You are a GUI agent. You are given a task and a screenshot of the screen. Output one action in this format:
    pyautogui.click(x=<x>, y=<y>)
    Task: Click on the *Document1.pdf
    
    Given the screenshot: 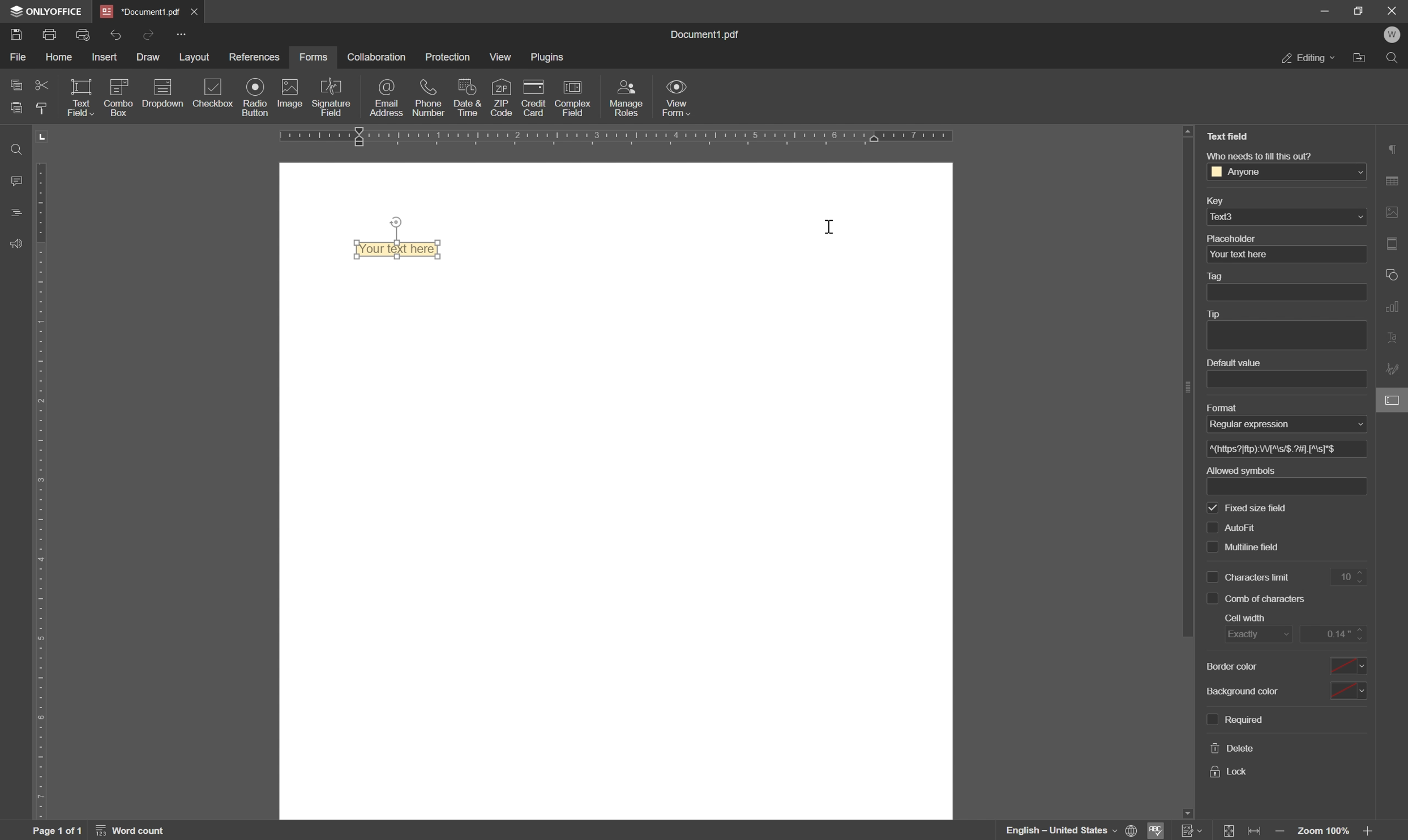 What is the action you would take?
    pyautogui.click(x=141, y=11)
    